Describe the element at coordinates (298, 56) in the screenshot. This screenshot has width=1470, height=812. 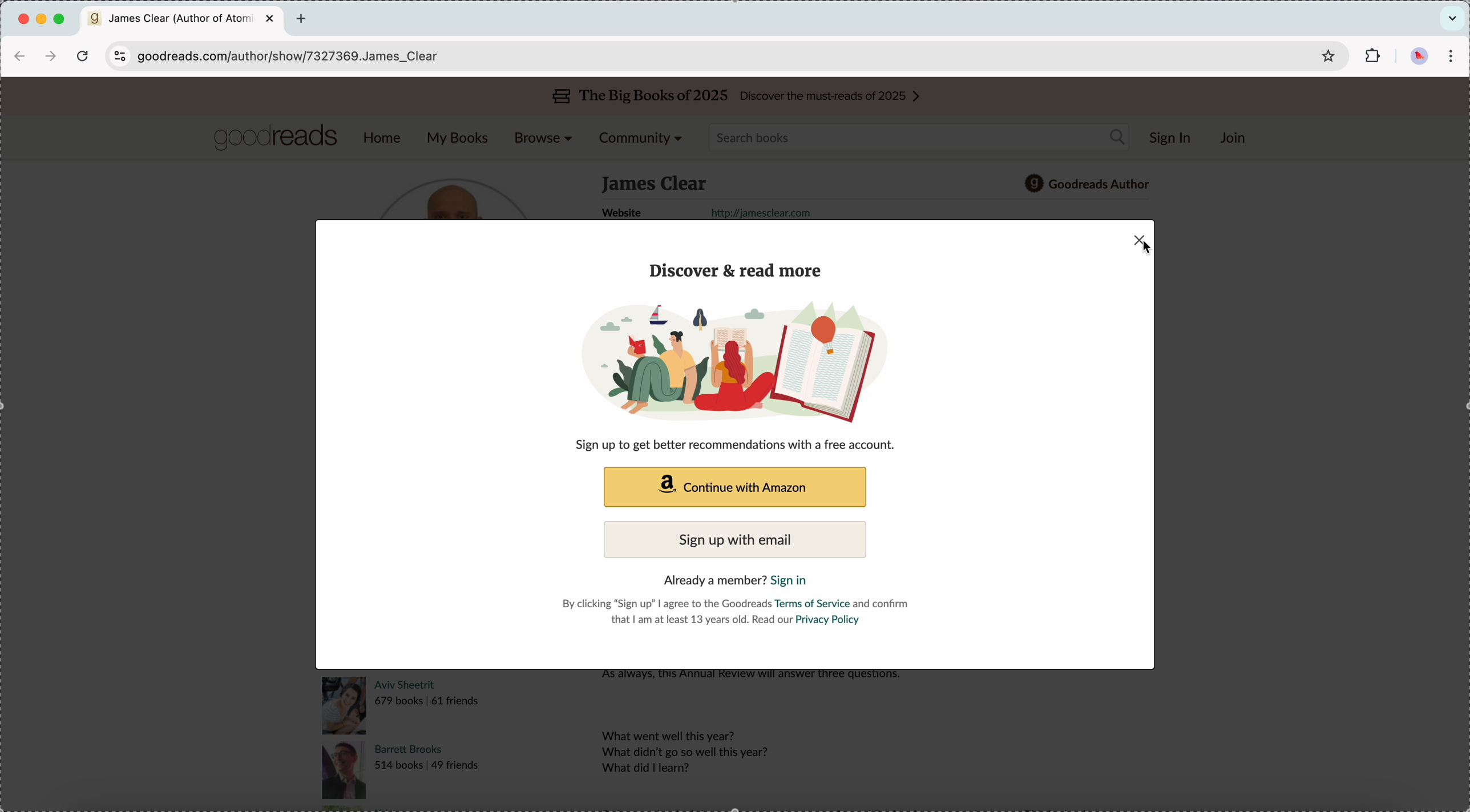
I see `goodreads.com/author/show/7327369.James_Clear` at that location.